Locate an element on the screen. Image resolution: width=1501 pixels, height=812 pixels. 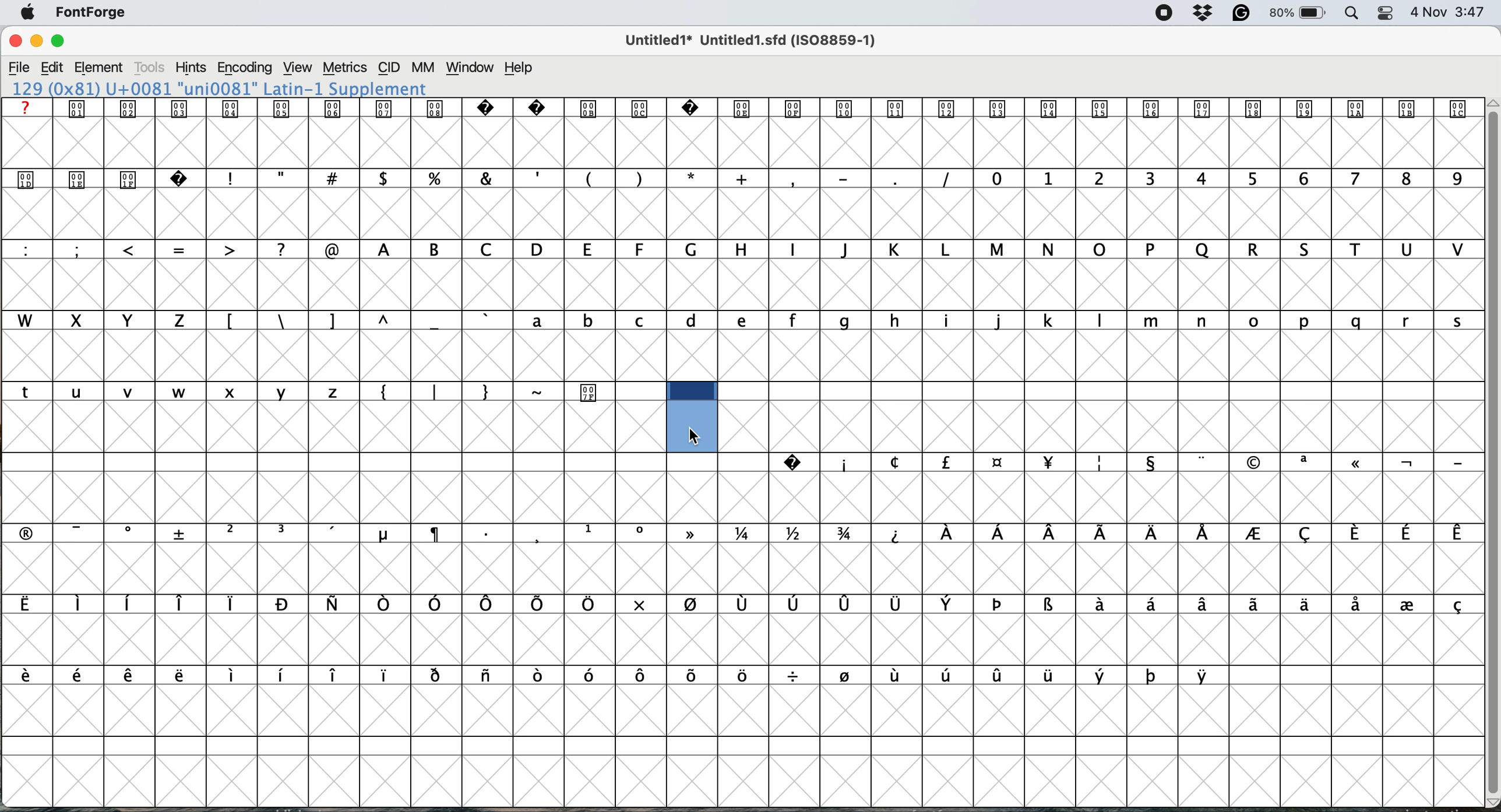
Symbols is located at coordinates (1126, 464).